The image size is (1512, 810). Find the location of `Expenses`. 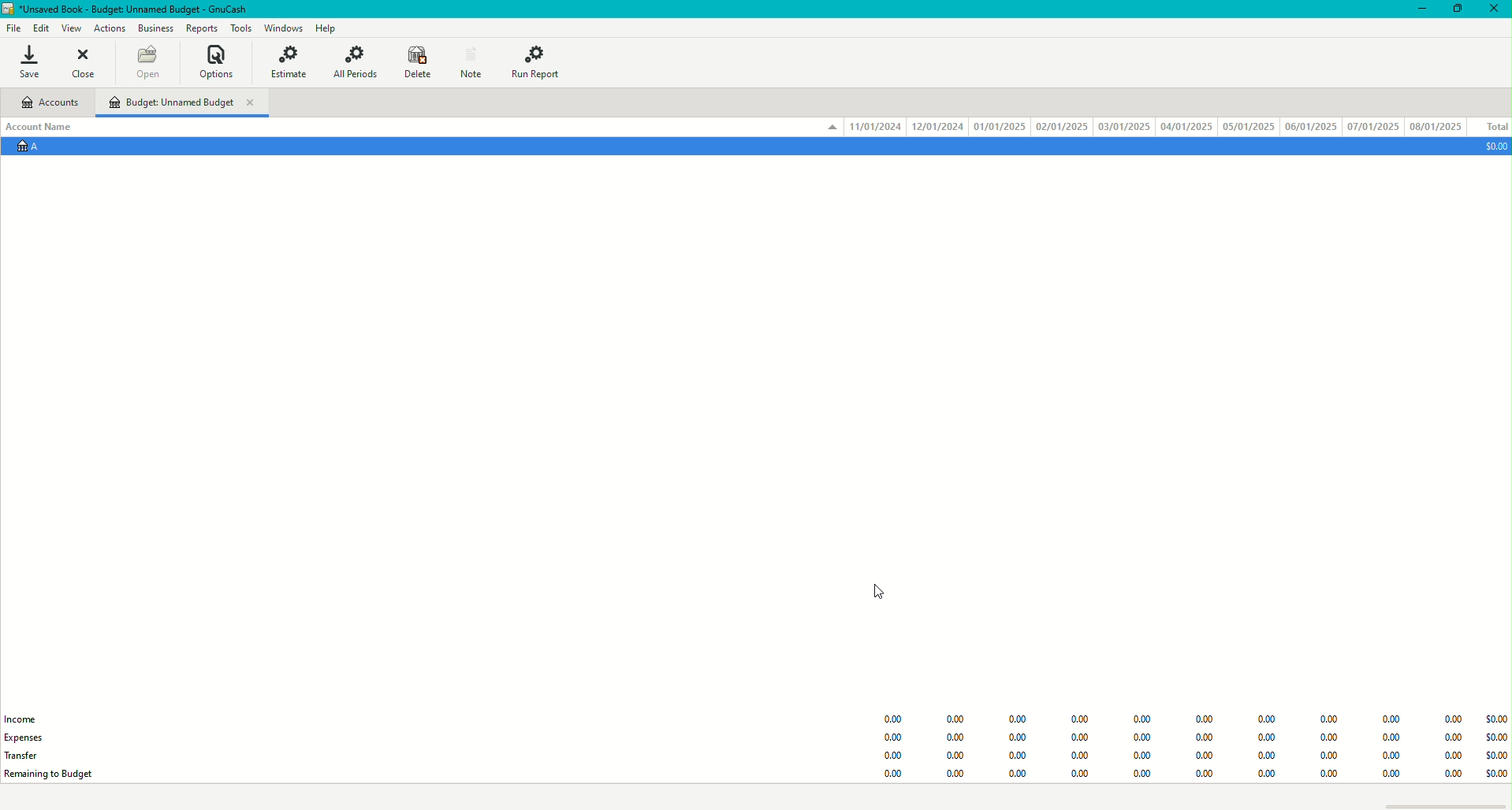

Expenses is located at coordinates (31, 738).